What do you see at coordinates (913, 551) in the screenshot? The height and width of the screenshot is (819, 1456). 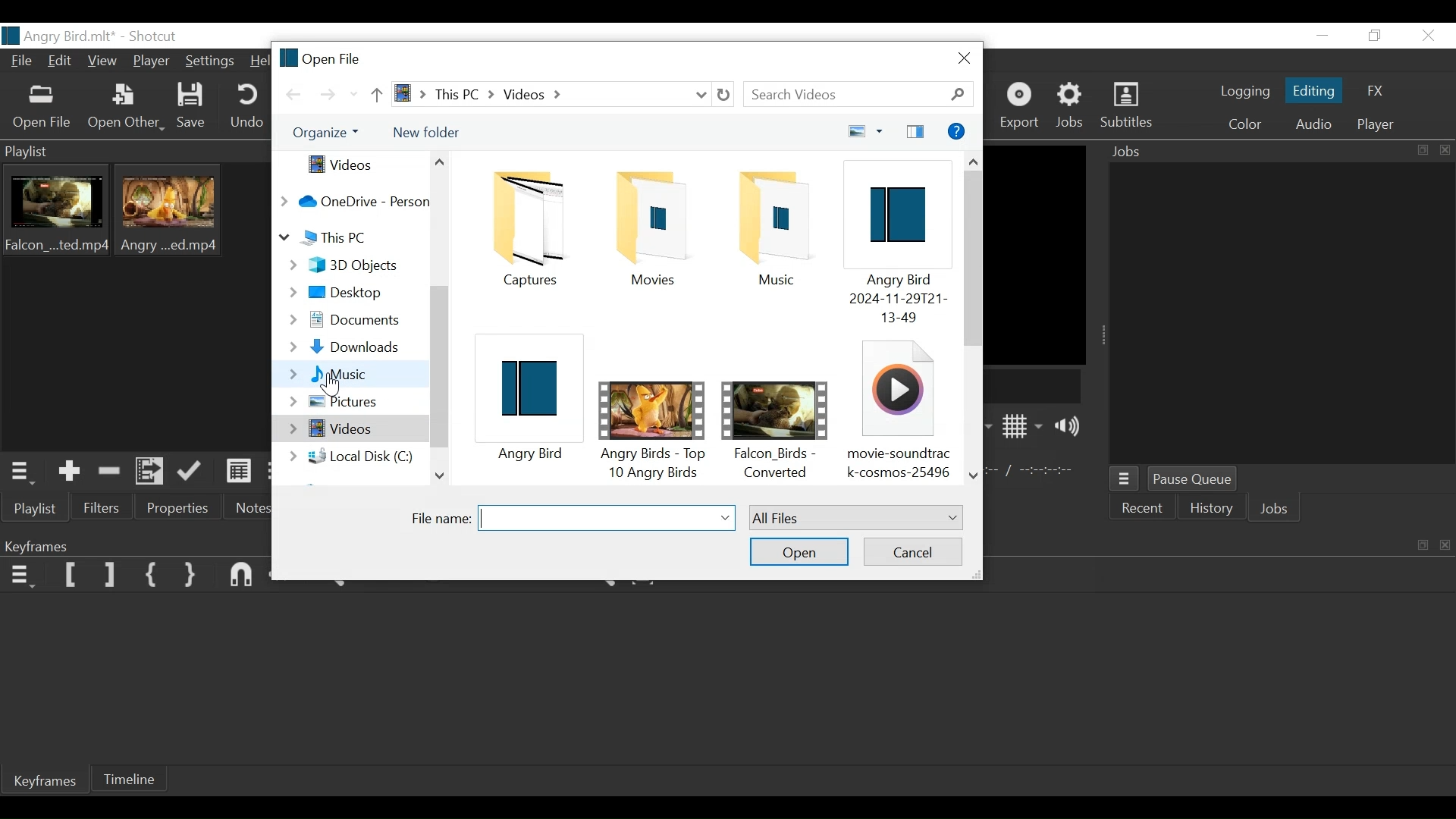 I see `Cancel` at bounding box center [913, 551].